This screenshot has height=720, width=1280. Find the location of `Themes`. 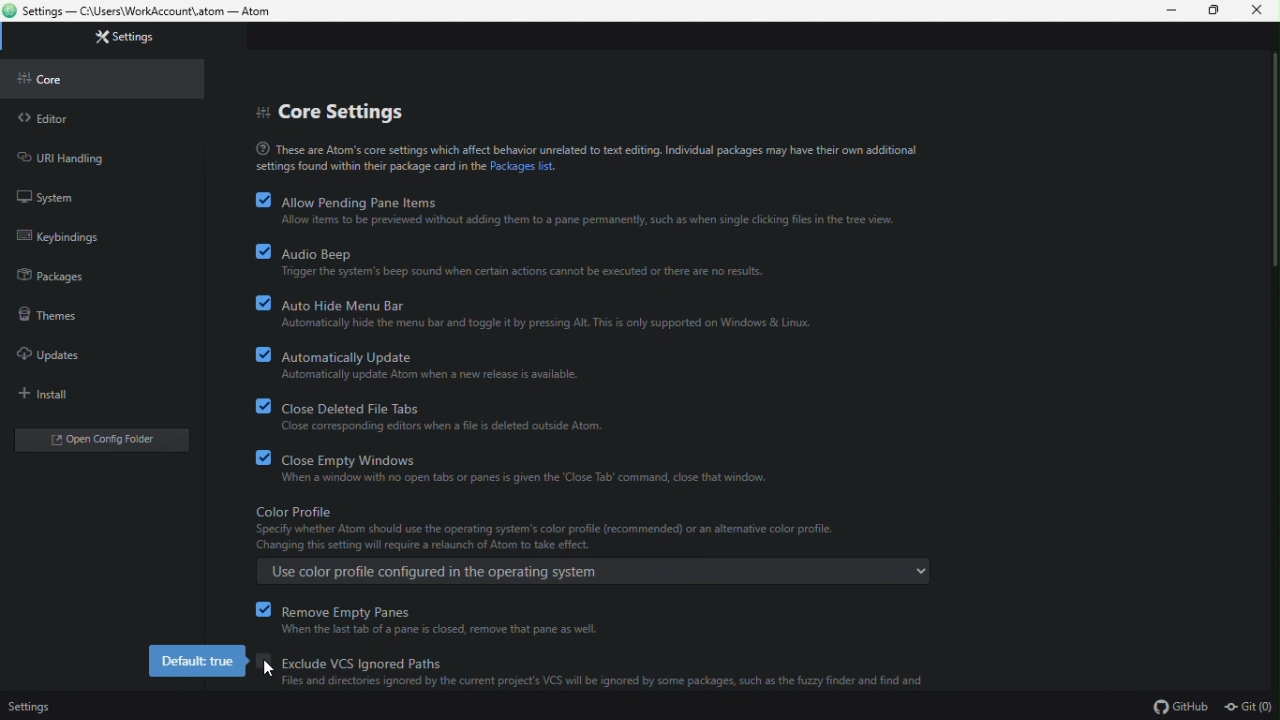

Themes is located at coordinates (92, 312).